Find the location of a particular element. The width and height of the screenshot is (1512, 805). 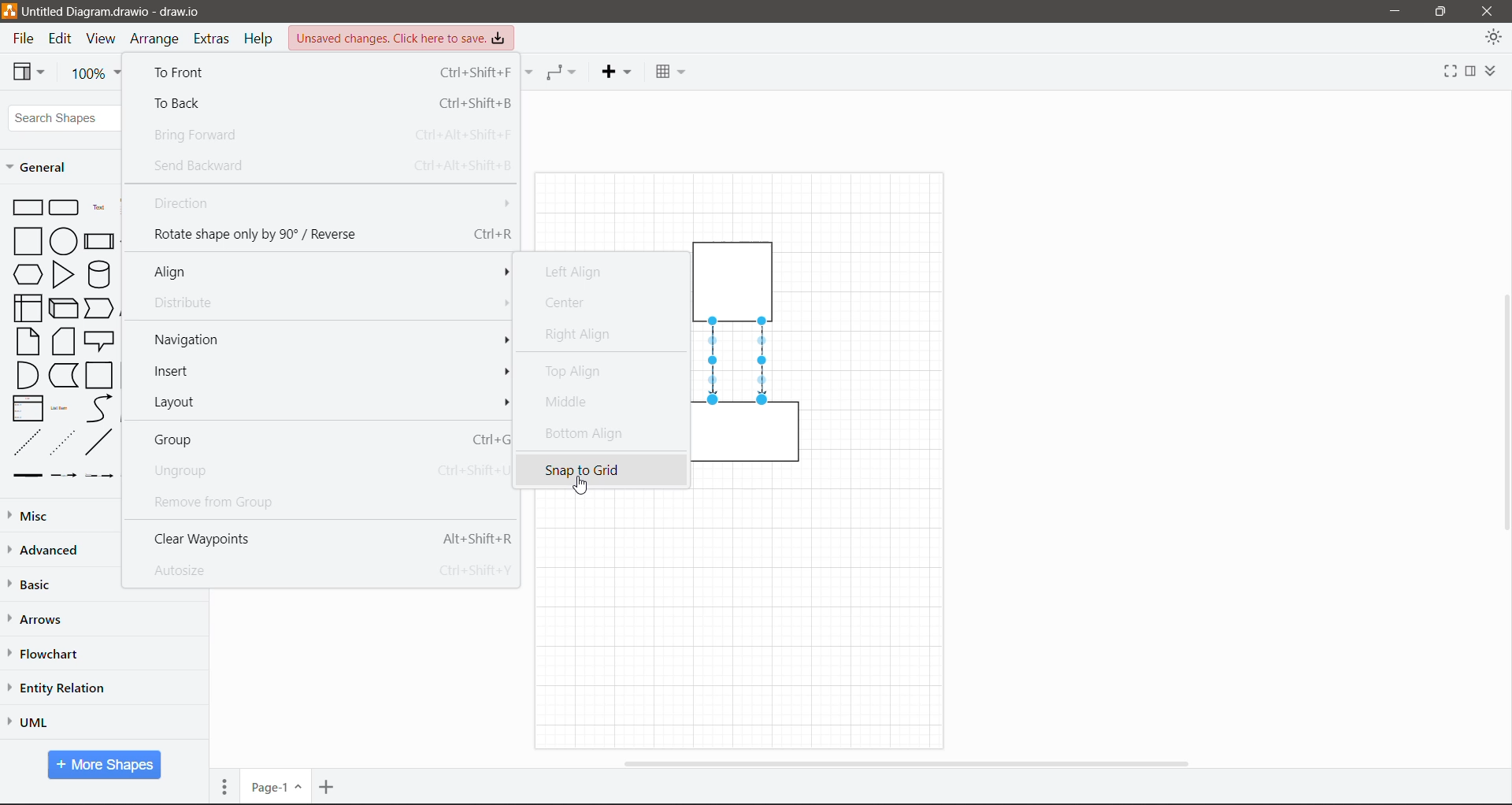

connector with 2 labels is located at coordinates (99, 476).